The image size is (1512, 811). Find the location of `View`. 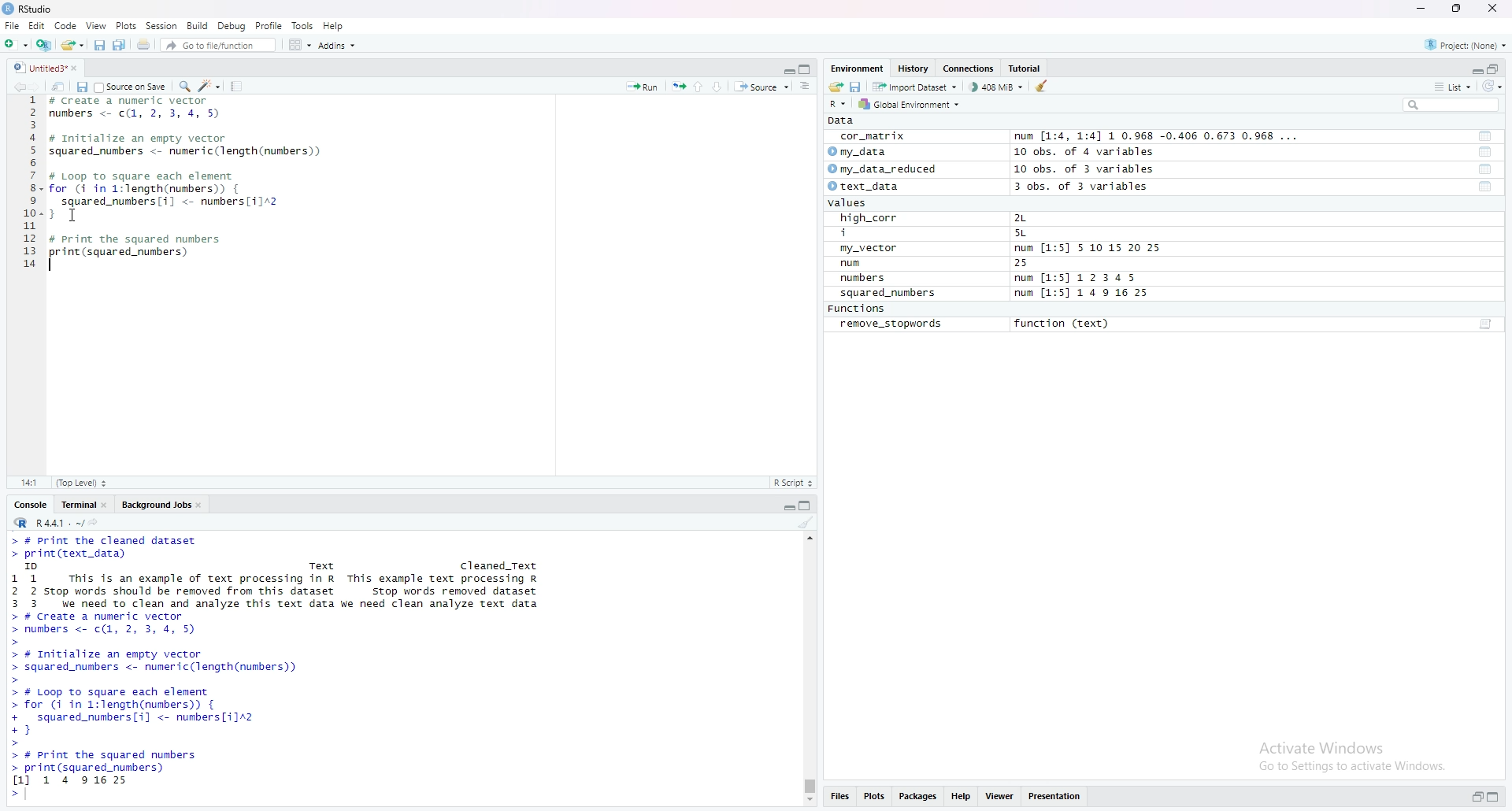

View is located at coordinates (96, 25).